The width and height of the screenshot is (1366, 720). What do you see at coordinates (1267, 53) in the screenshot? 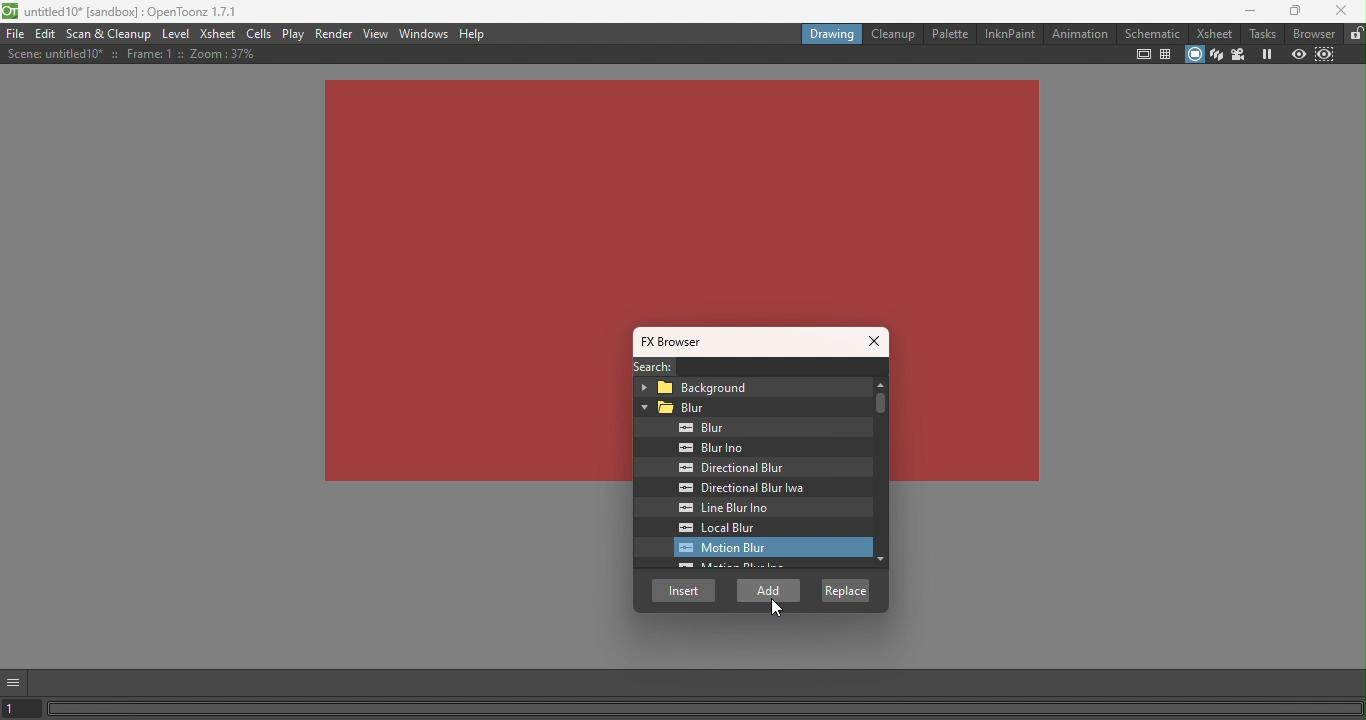
I see `Freeze` at bounding box center [1267, 53].